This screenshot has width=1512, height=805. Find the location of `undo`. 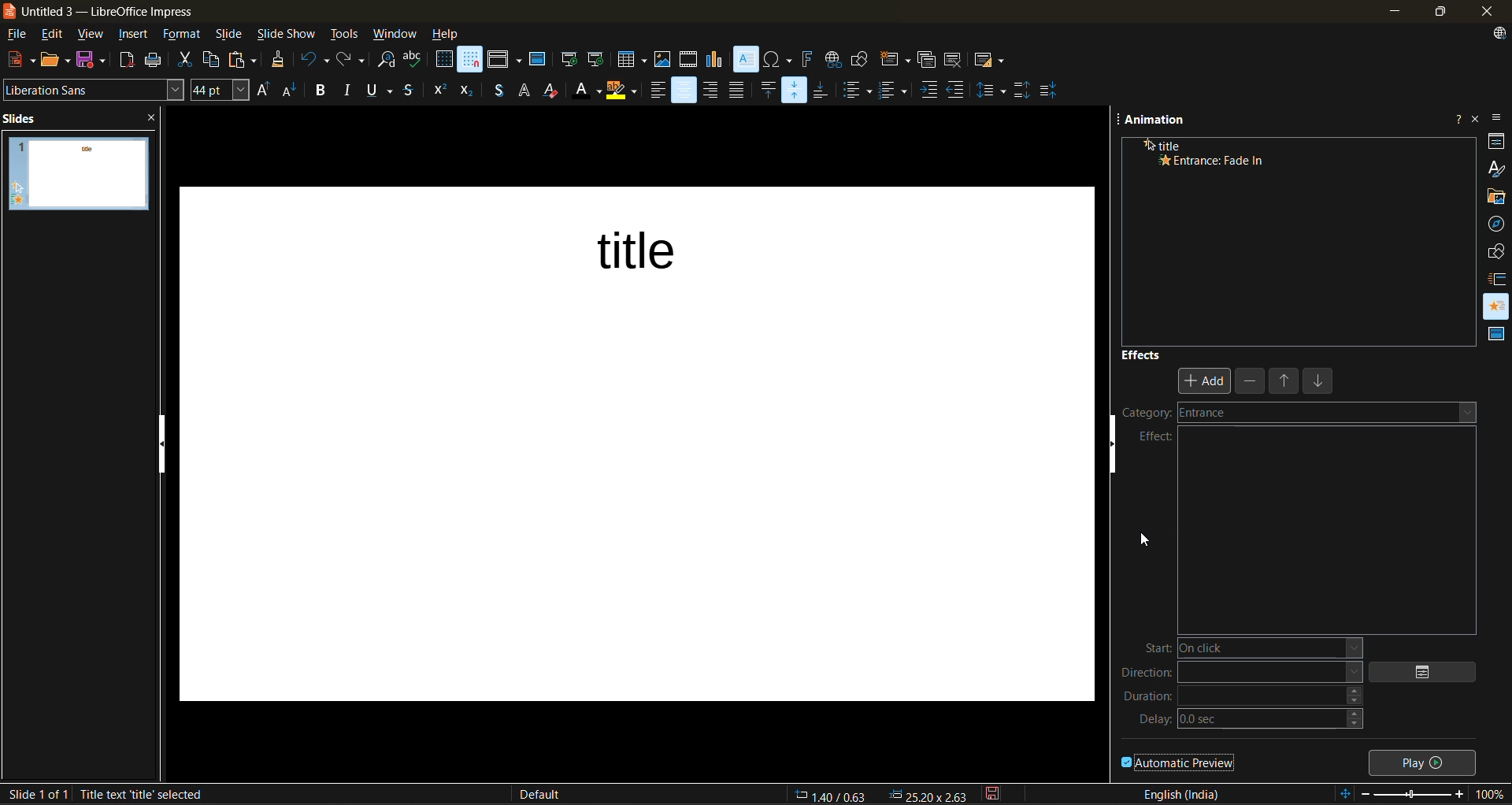

undo is located at coordinates (313, 61).